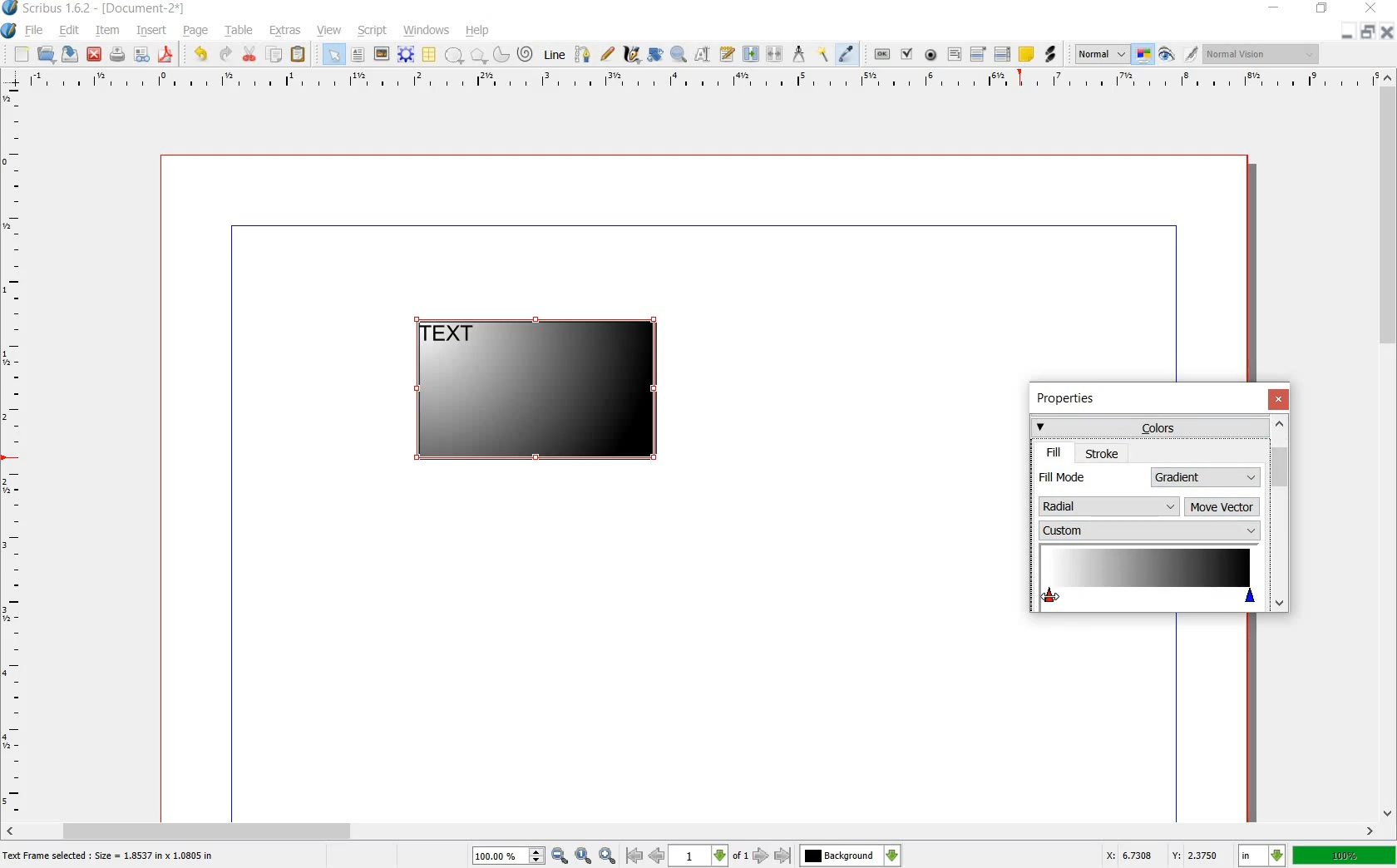  Describe the element at coordinates (357, 55) in the screenshot. I see `text frame` at that location.